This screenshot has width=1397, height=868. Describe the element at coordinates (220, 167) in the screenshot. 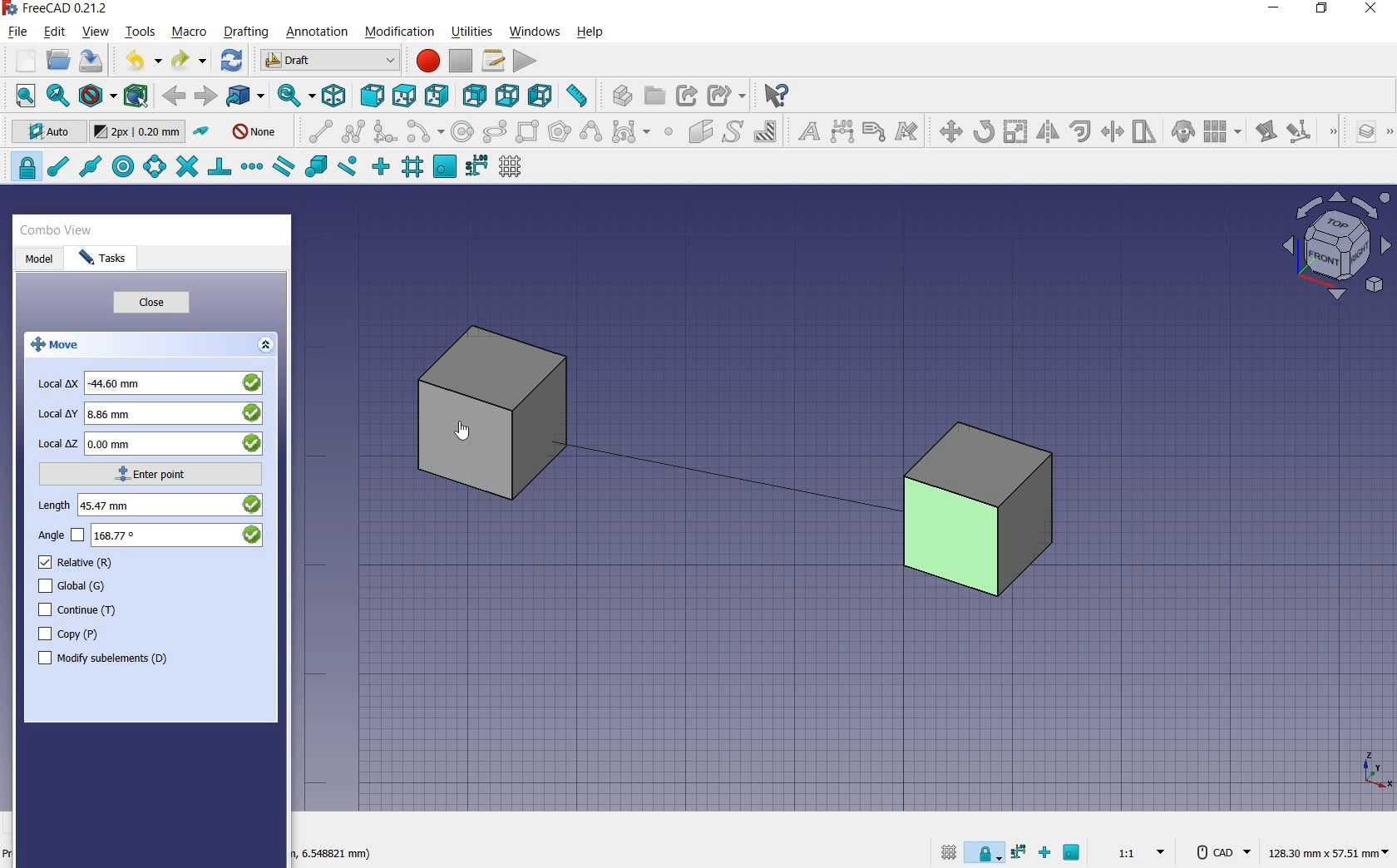

I see `snap perpendicular` at that location.